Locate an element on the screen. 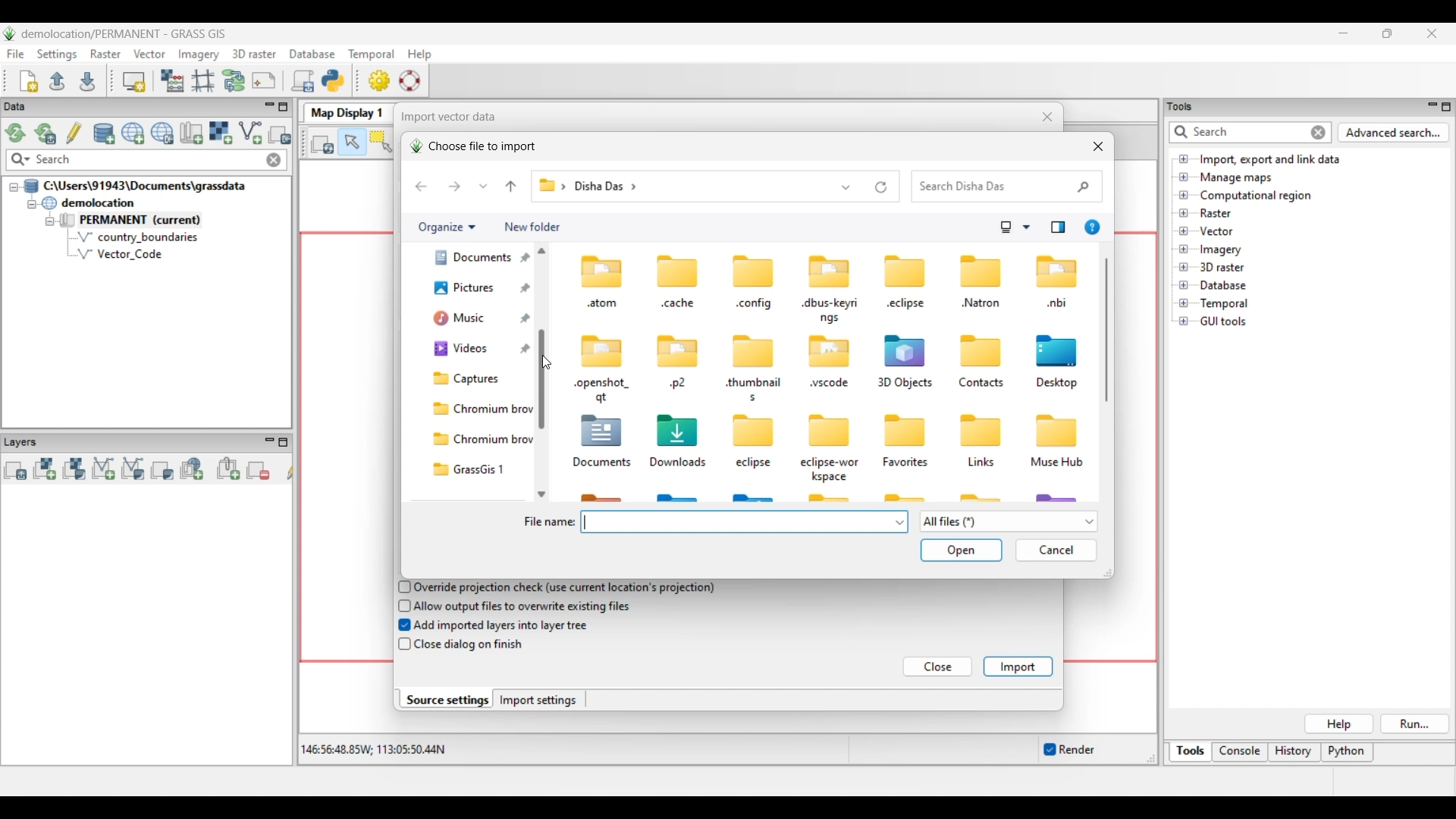 The height and width of the screenshot is (819, 1456). Muse Hub is located at coordinates (1057, 463).